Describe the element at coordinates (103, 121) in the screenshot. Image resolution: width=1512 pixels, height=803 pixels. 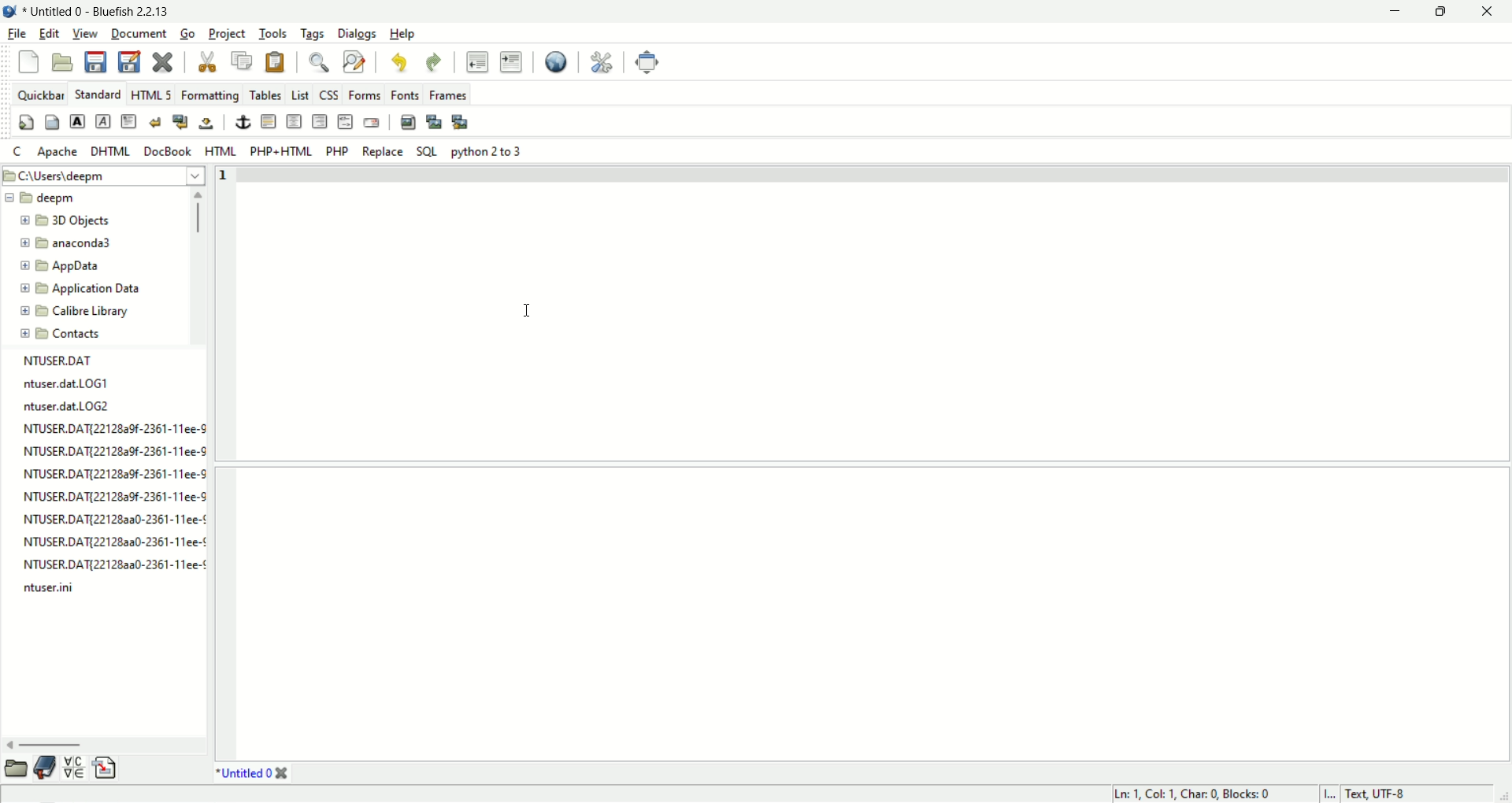
I see `emphasis` at that location.